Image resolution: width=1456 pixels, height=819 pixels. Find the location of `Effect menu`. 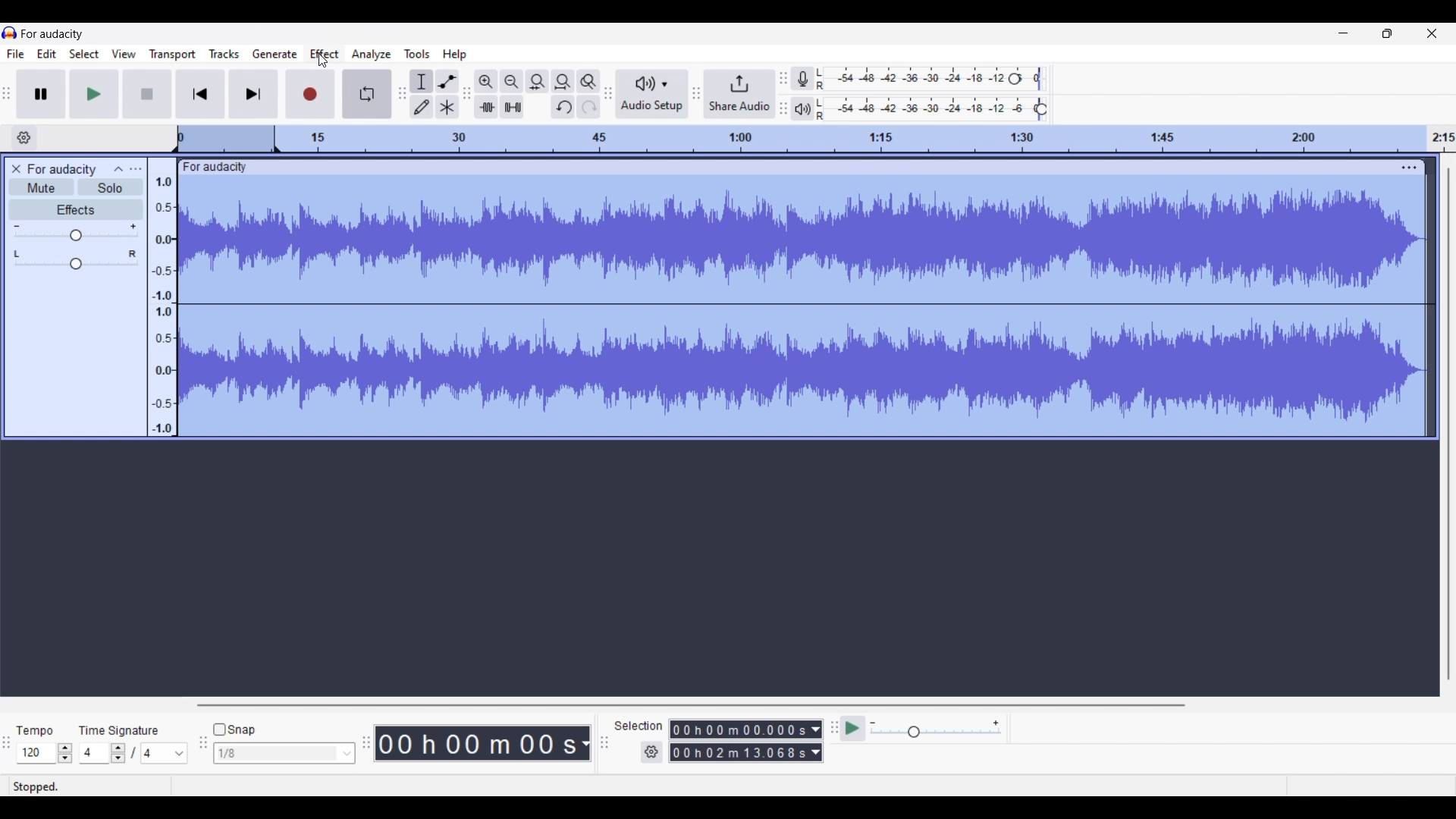

Effect menu is located at coordinates (325, 55).